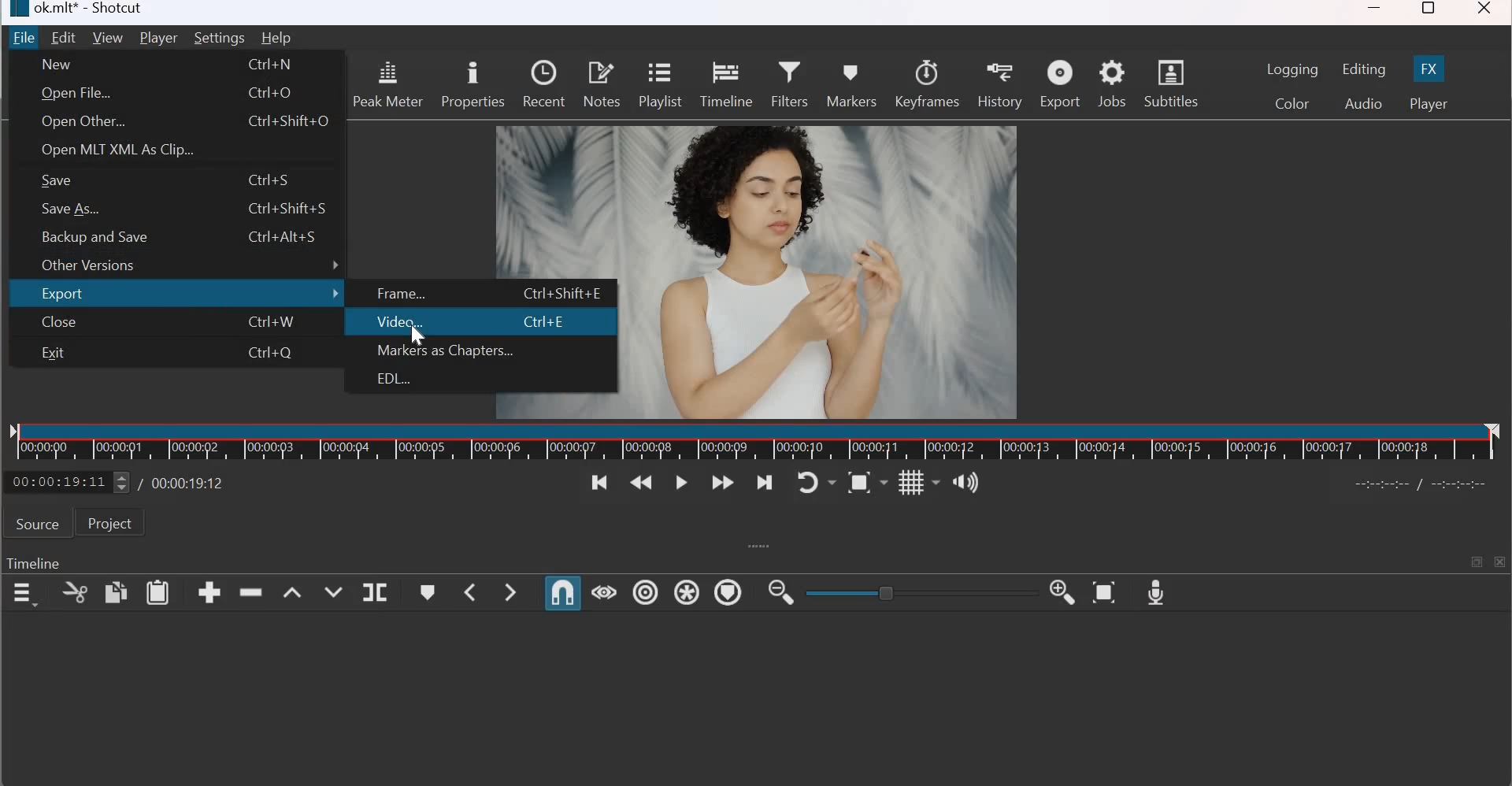 This screenshot has height=786, width=1512. Describe the element at coordinates (391, 379) in the screenshot. I see `EDL` at that location.